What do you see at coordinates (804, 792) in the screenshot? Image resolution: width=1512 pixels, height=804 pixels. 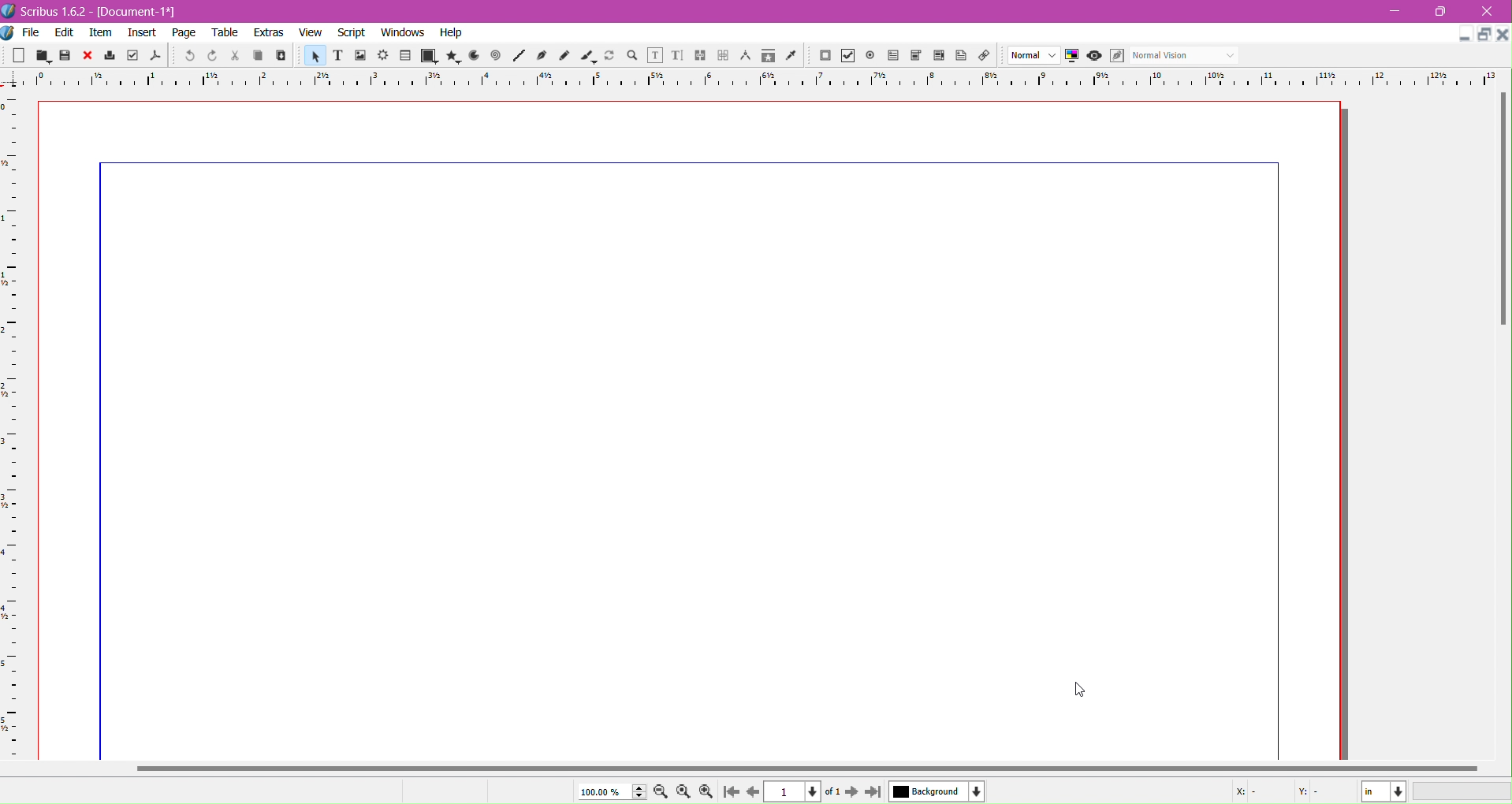 I see `page number` at bounding box center [804, 792].